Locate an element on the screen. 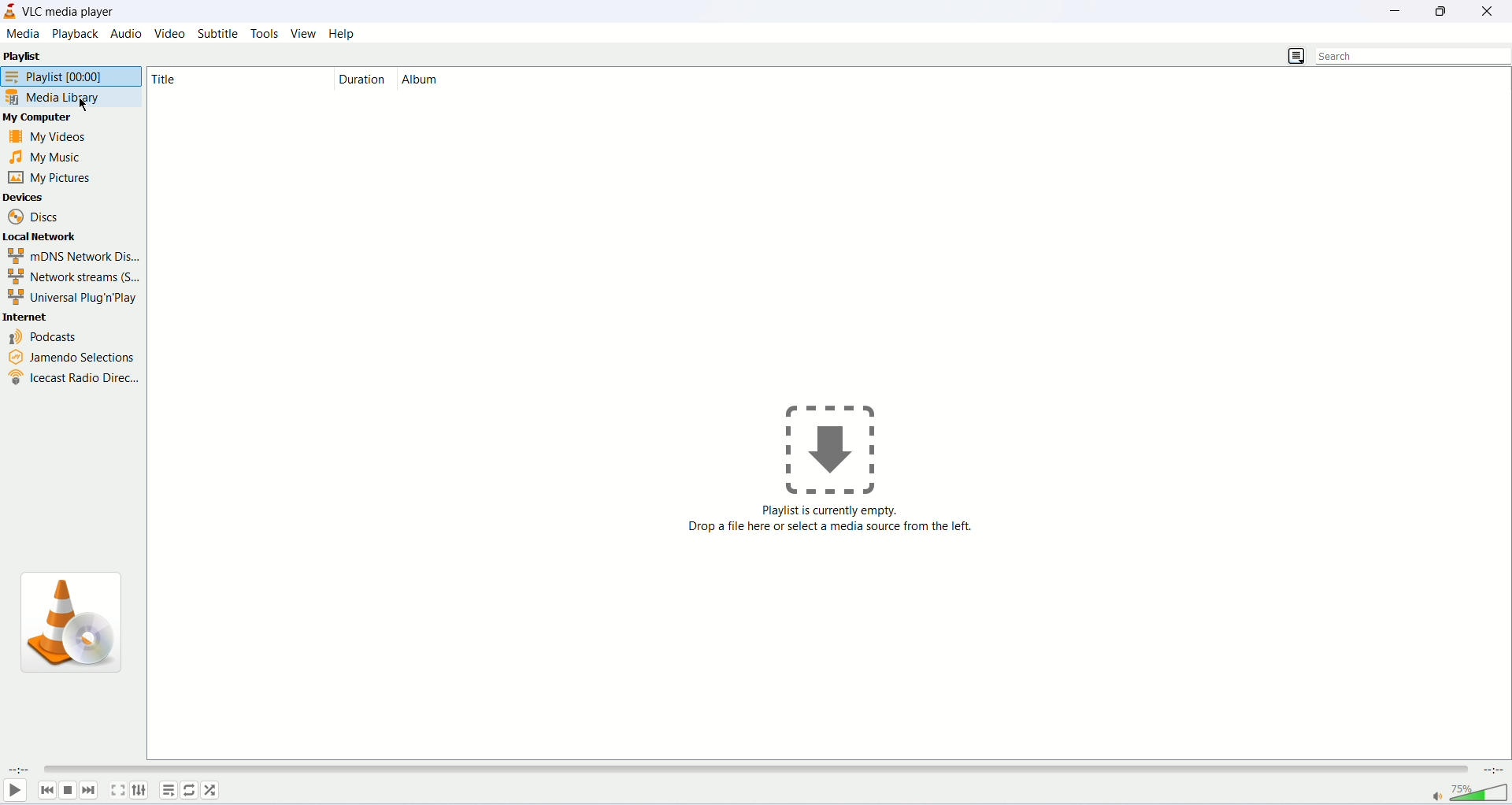 The image size is (1512, 805). Playlist is currently empty. is located at coordinates (831, 510).